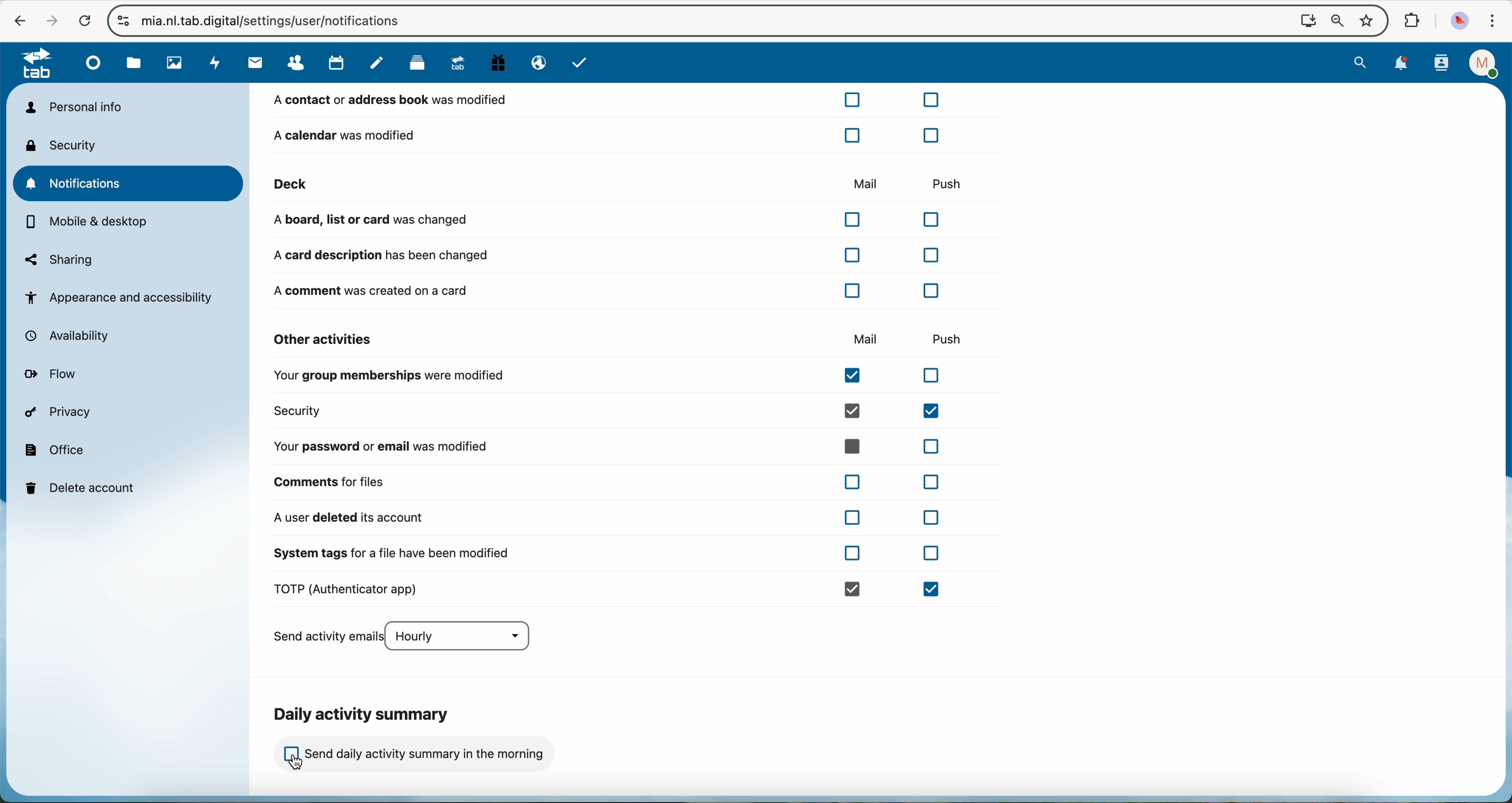  Describe the element at coordinates (1460, 20) in the screenshot. I see `profile picture` at that location.